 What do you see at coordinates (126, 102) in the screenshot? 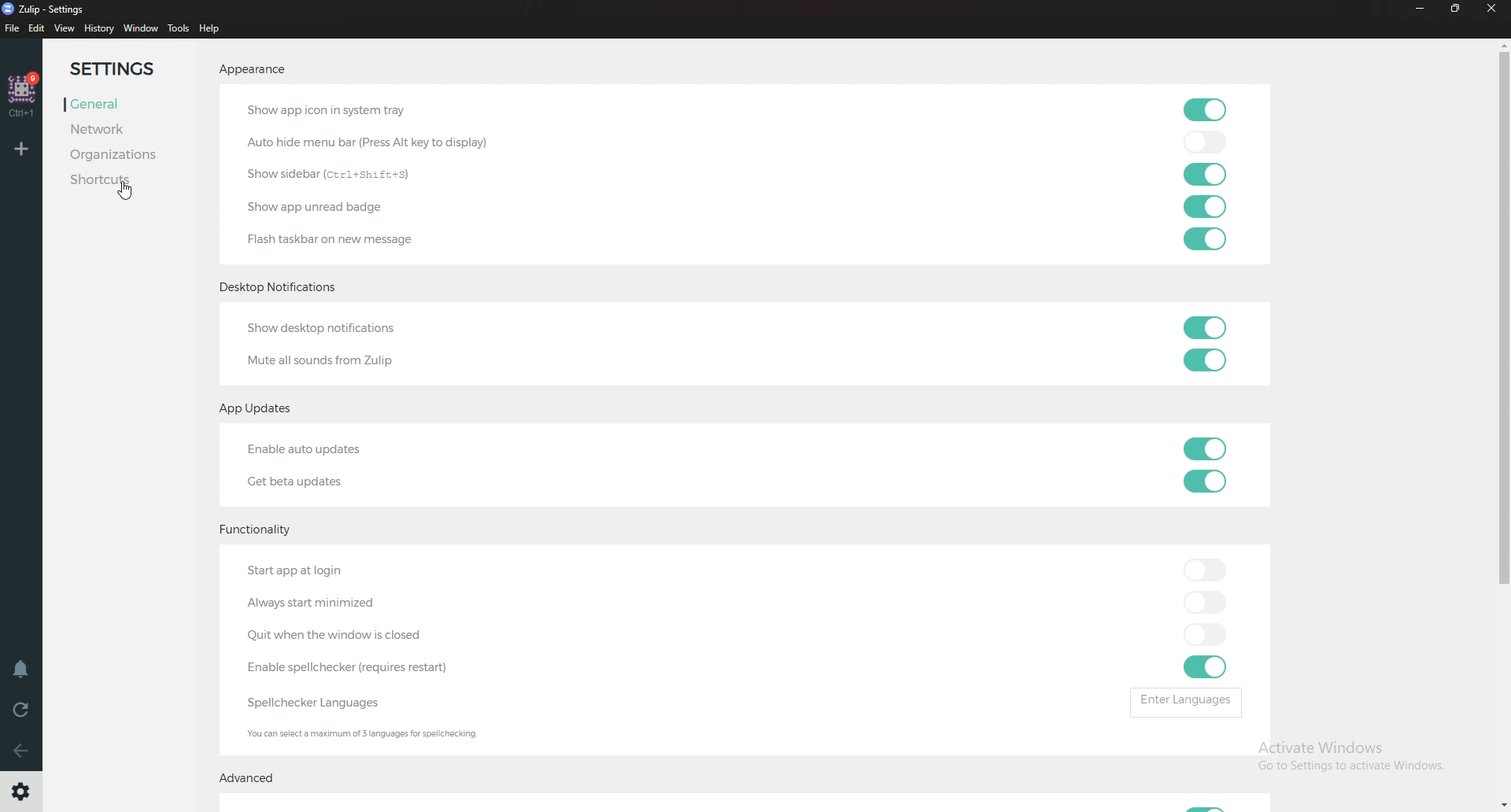
I see `General` at bounding box center [126, 102].